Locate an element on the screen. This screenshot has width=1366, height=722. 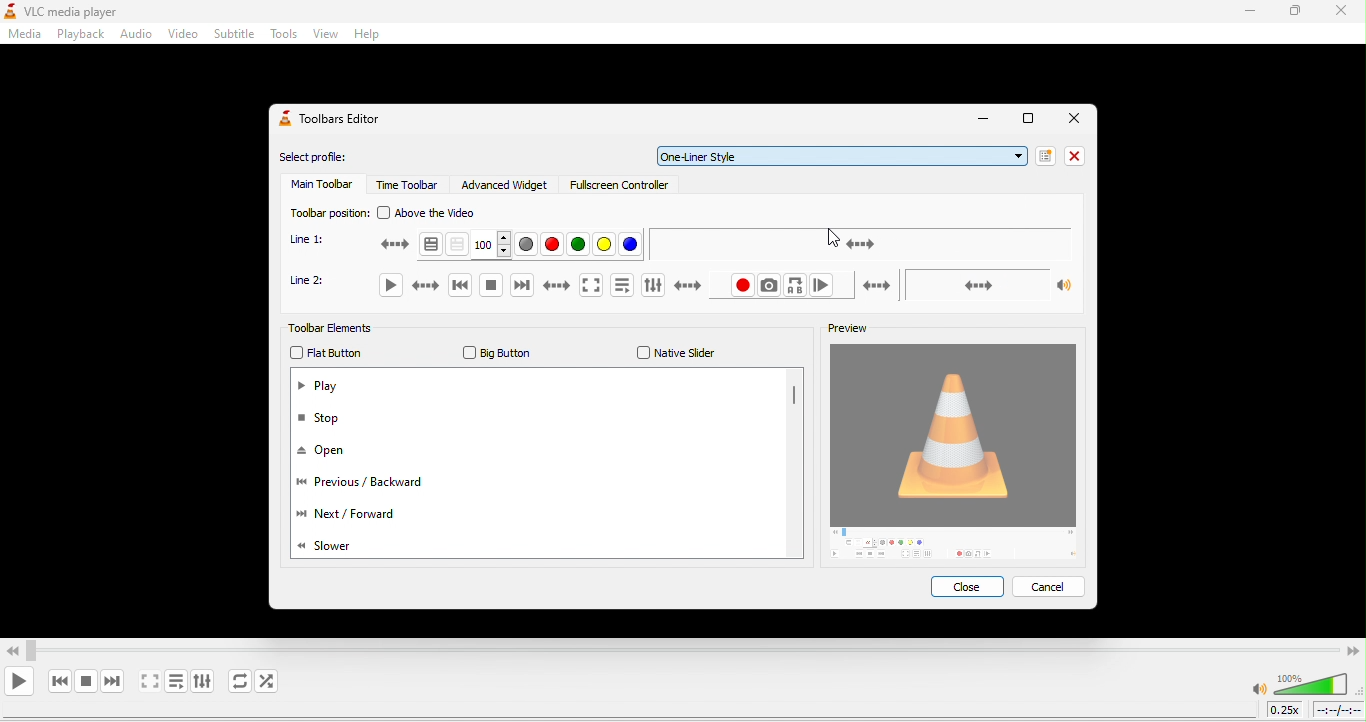
Video Scroll bar is located at coordinates (682, 648).